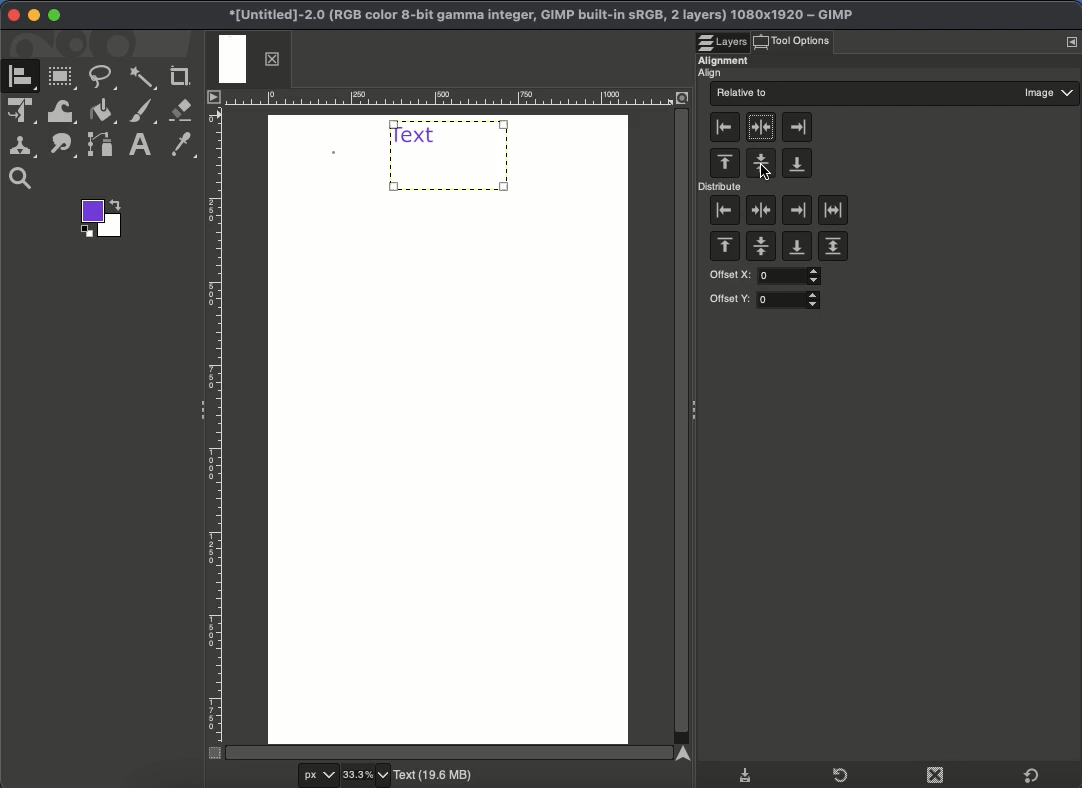 This screenshot has height=788, width=1082. I want to click on Distribute bottoms of targets, so click(795, 248).